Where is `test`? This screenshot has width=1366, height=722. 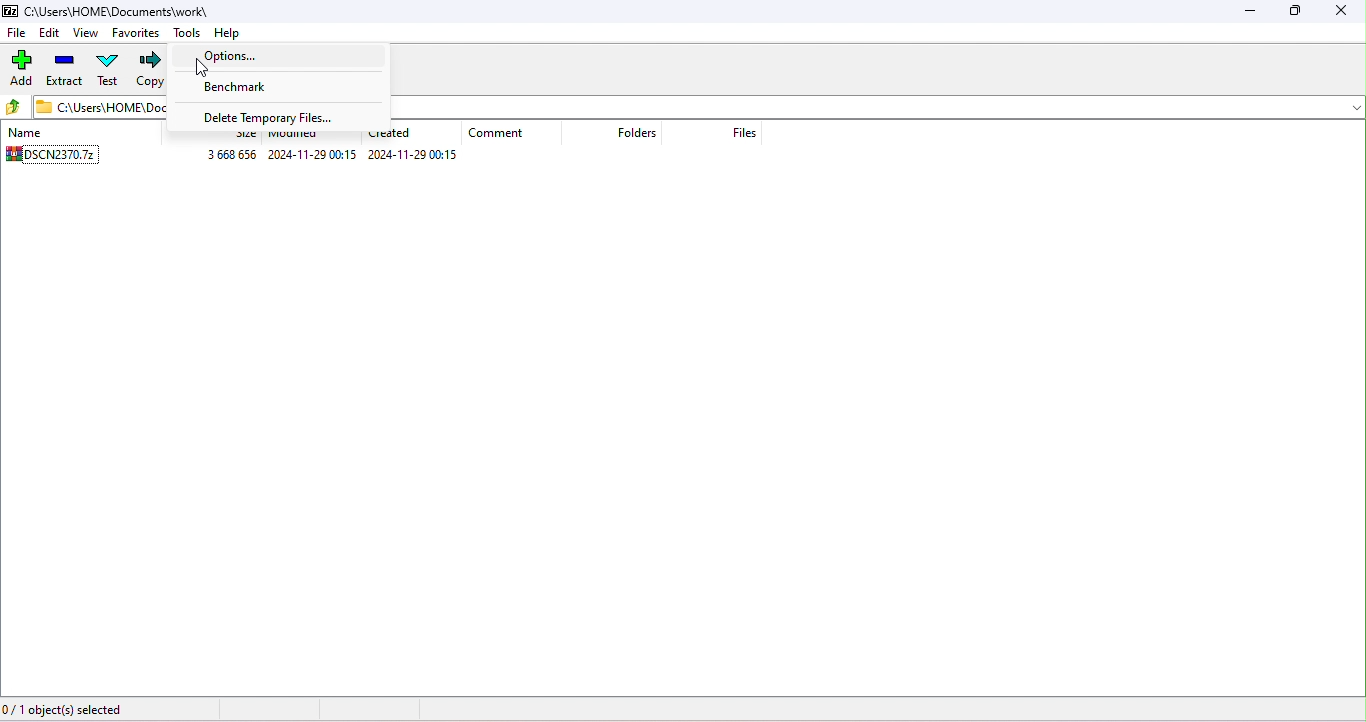
test is located at coordinates (110, 71).